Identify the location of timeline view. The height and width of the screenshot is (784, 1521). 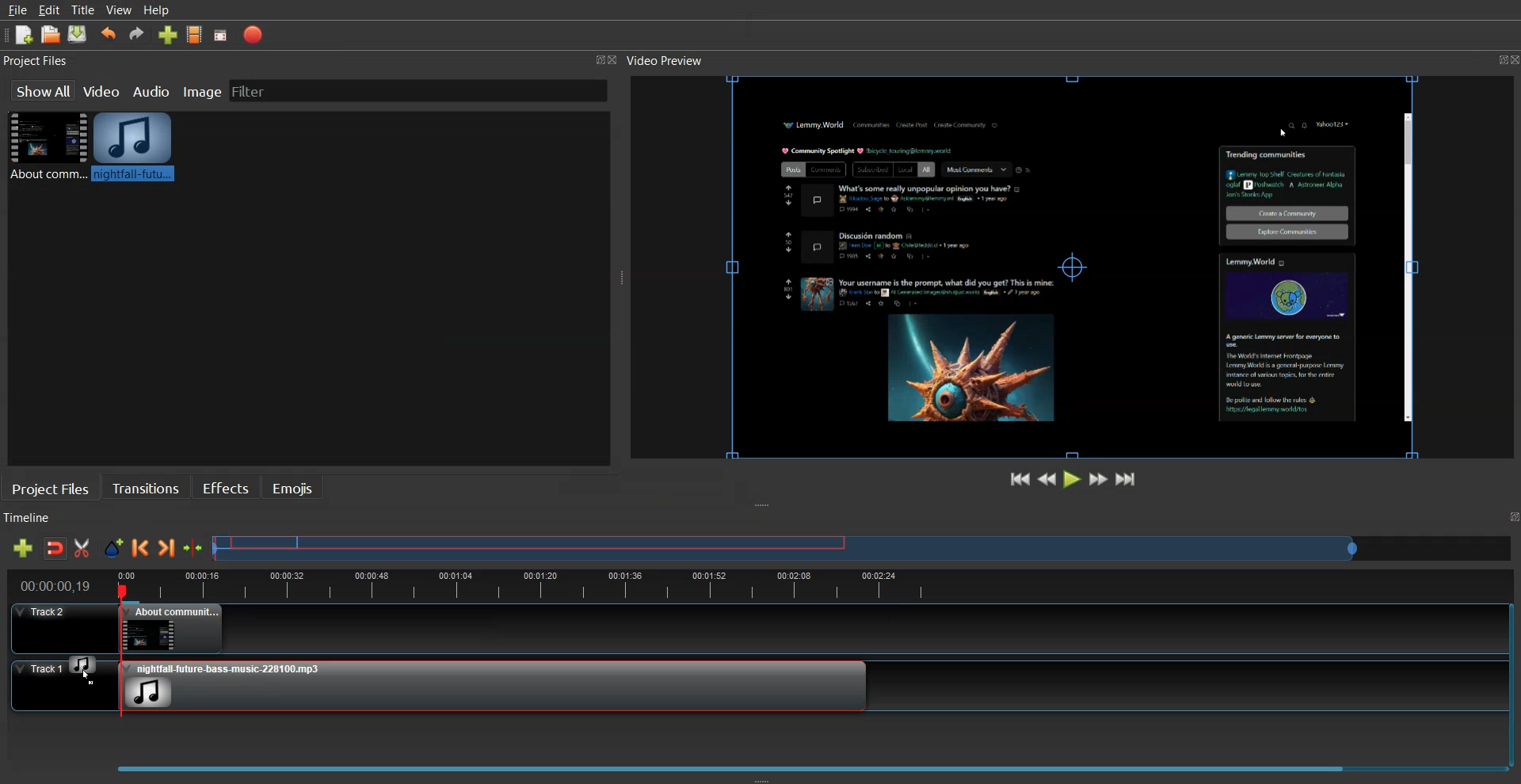
(753, 584).